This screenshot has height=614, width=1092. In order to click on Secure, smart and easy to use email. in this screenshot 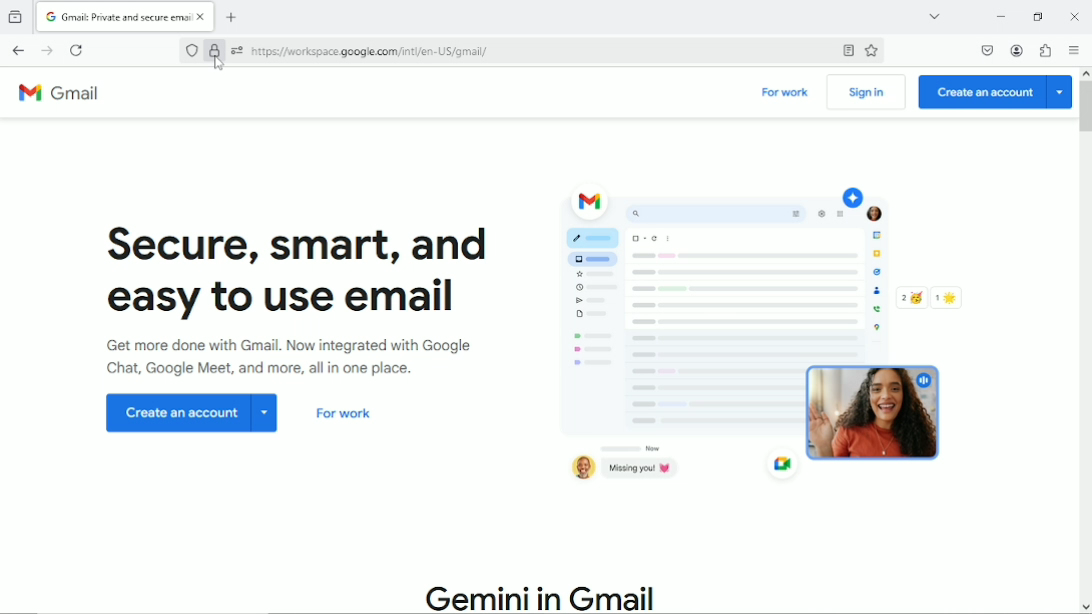, I will do `click(303, 275)`.